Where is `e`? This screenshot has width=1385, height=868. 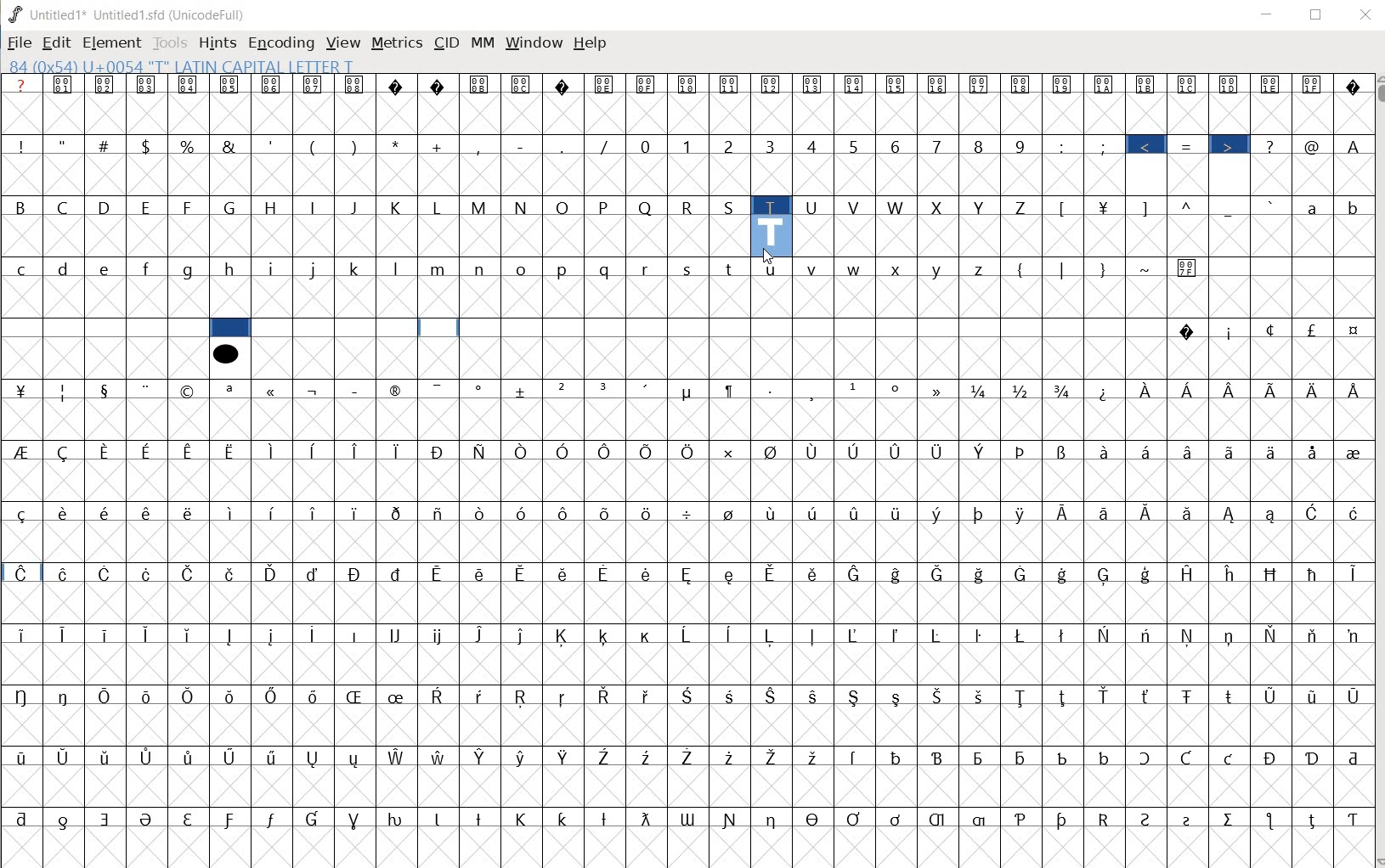 e is located at coordinates (106, 269).